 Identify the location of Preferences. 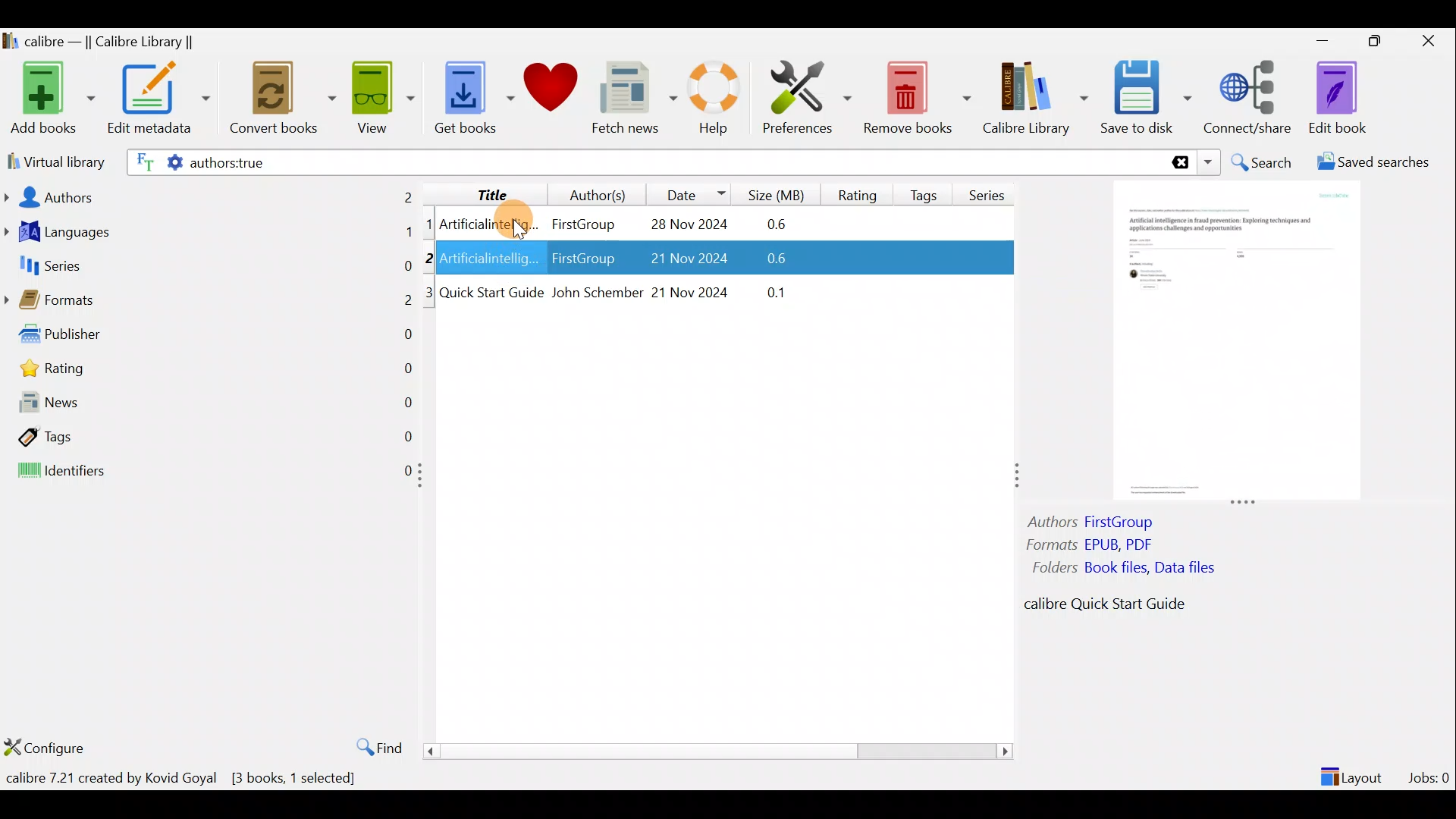
(807, 96).